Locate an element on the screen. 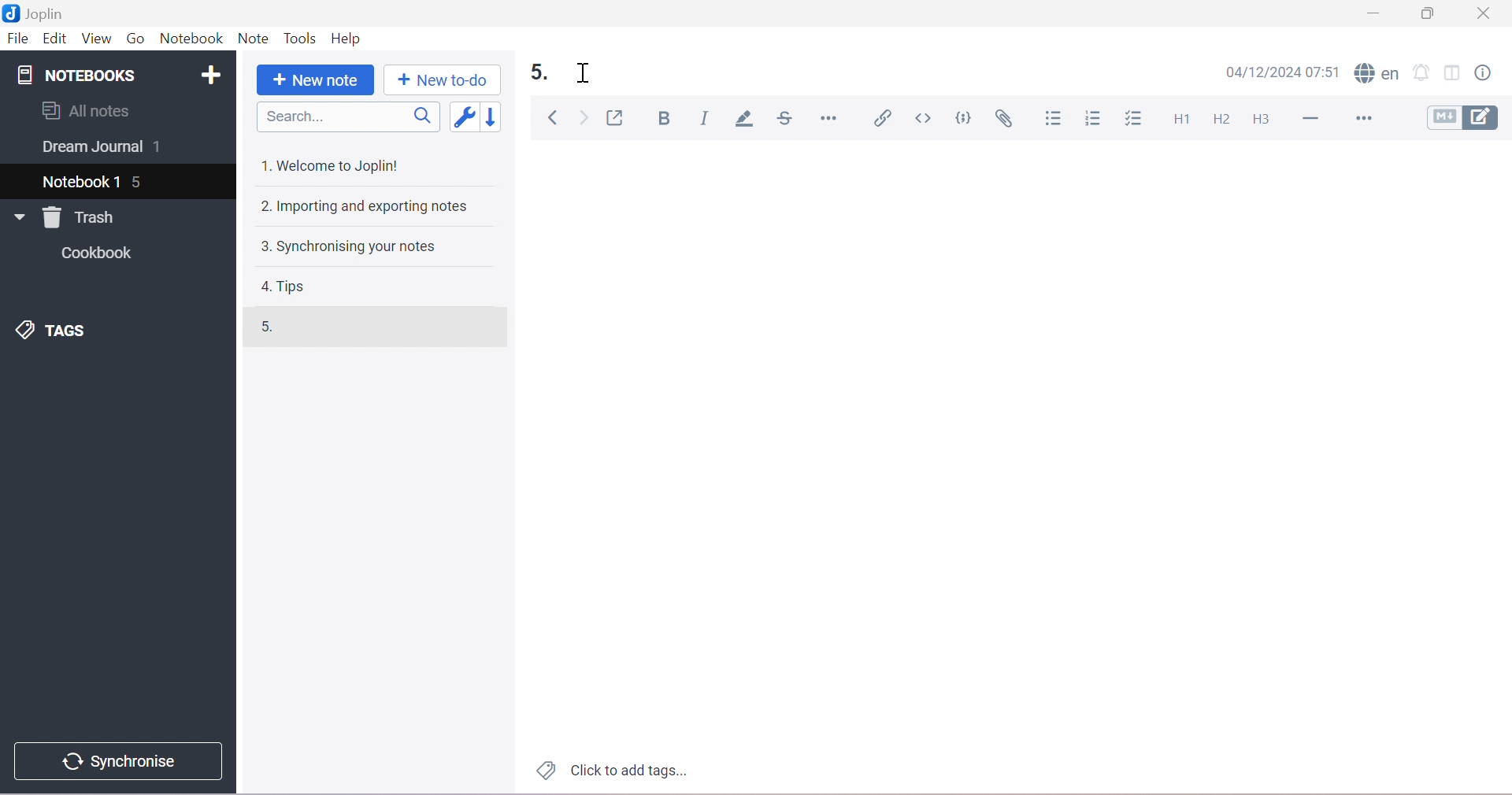 This screenshot has width=1512, height=795. 5 is located at coordinates (141, 183).